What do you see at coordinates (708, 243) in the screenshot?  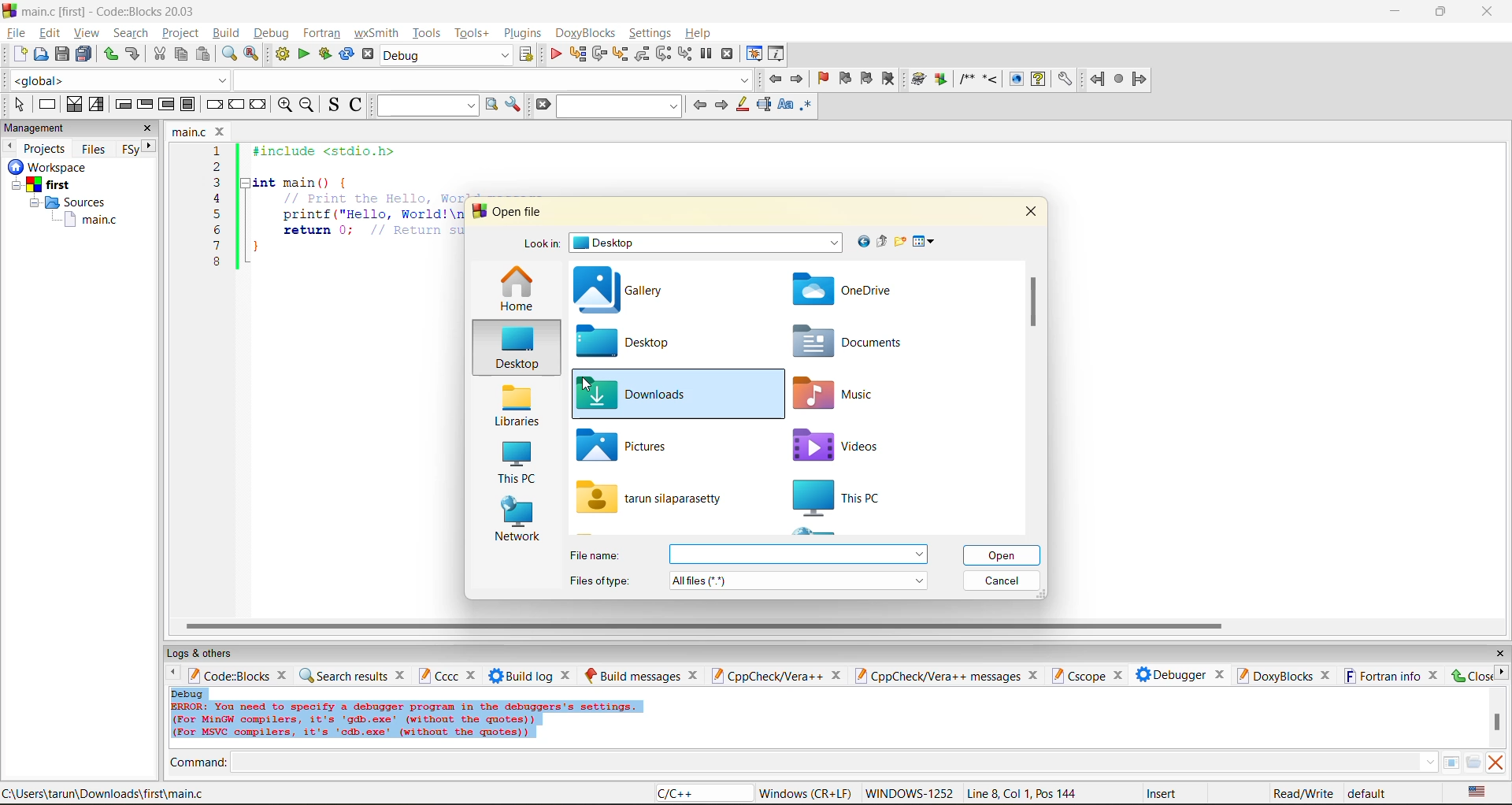 I see `folder name` at bounding box center [708, 243].